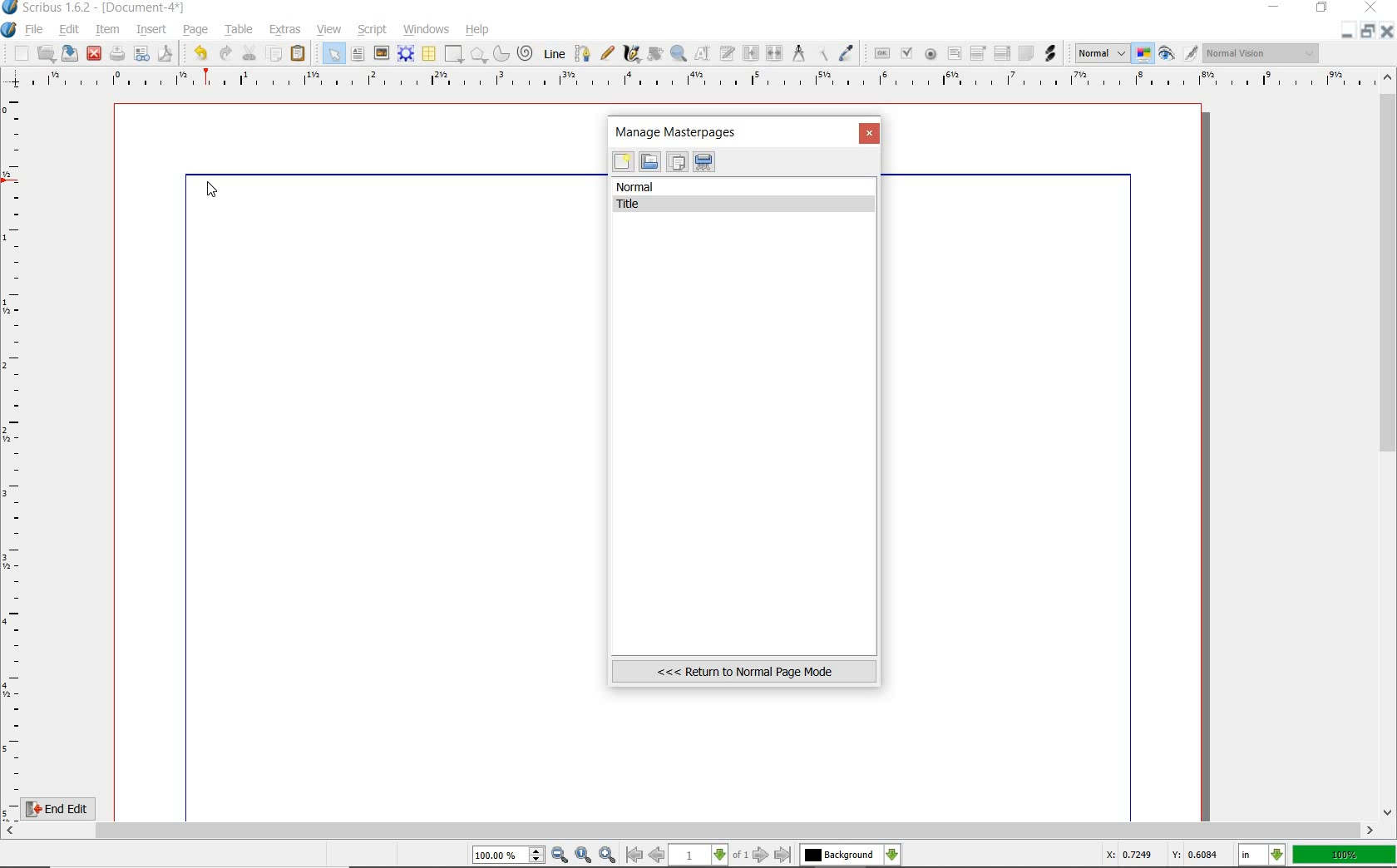  I want to click on link text frames, so click(749, 52).